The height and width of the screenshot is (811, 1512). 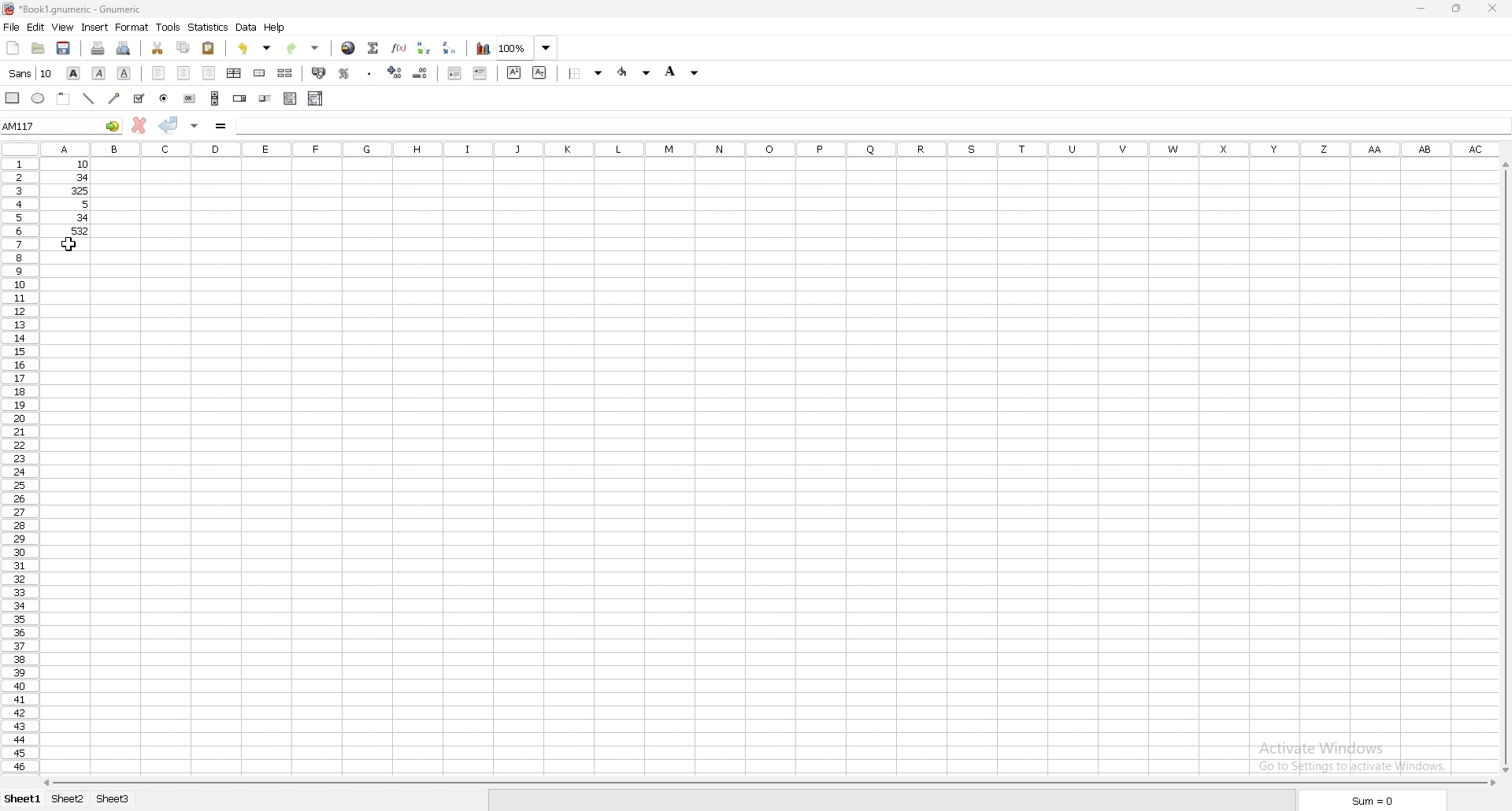 I want to click on statistics, so click(x=209, y=27).